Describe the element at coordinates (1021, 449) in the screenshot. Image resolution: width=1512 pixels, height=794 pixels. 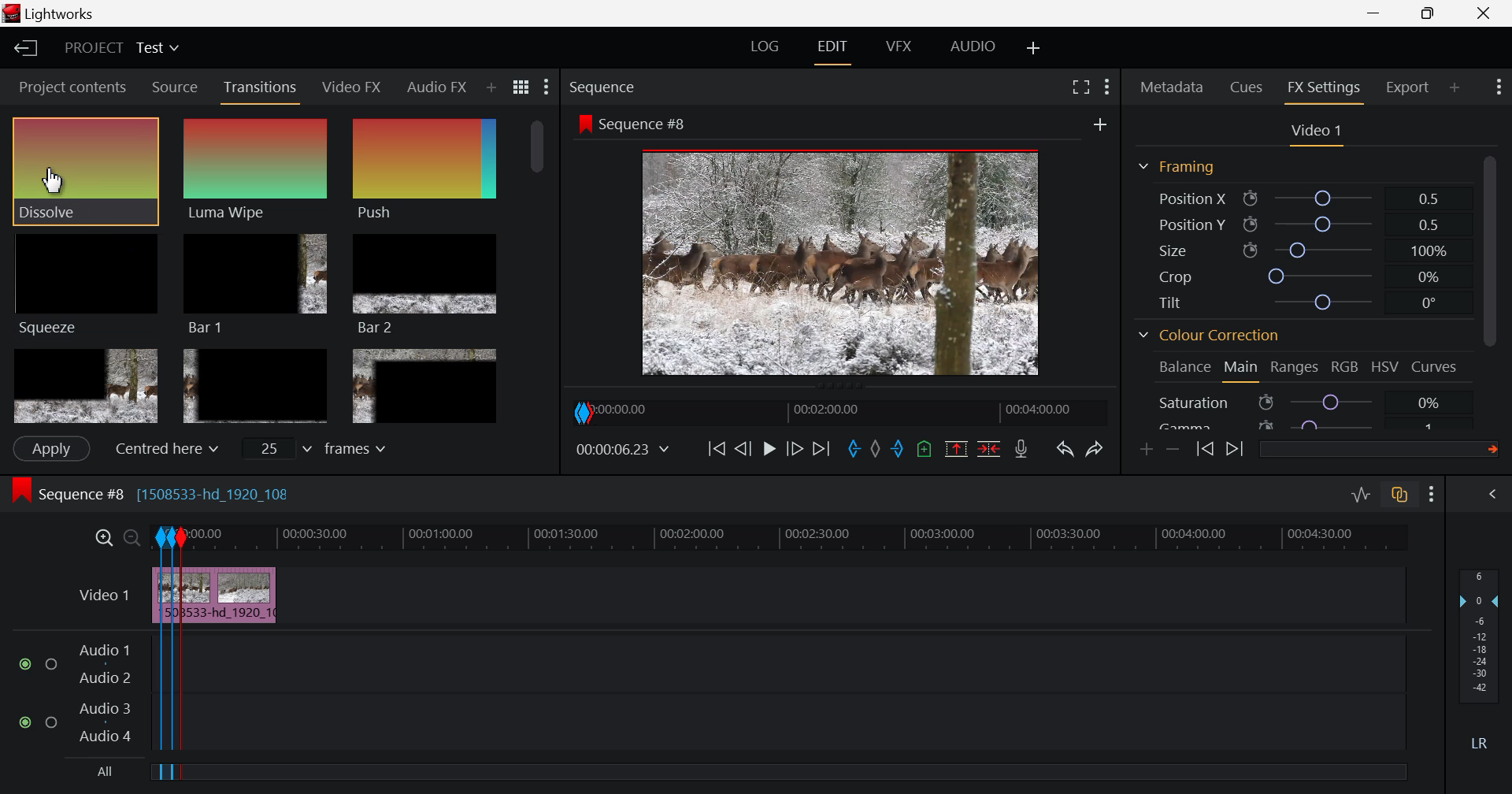
I see `Record Voiceover` at that location.